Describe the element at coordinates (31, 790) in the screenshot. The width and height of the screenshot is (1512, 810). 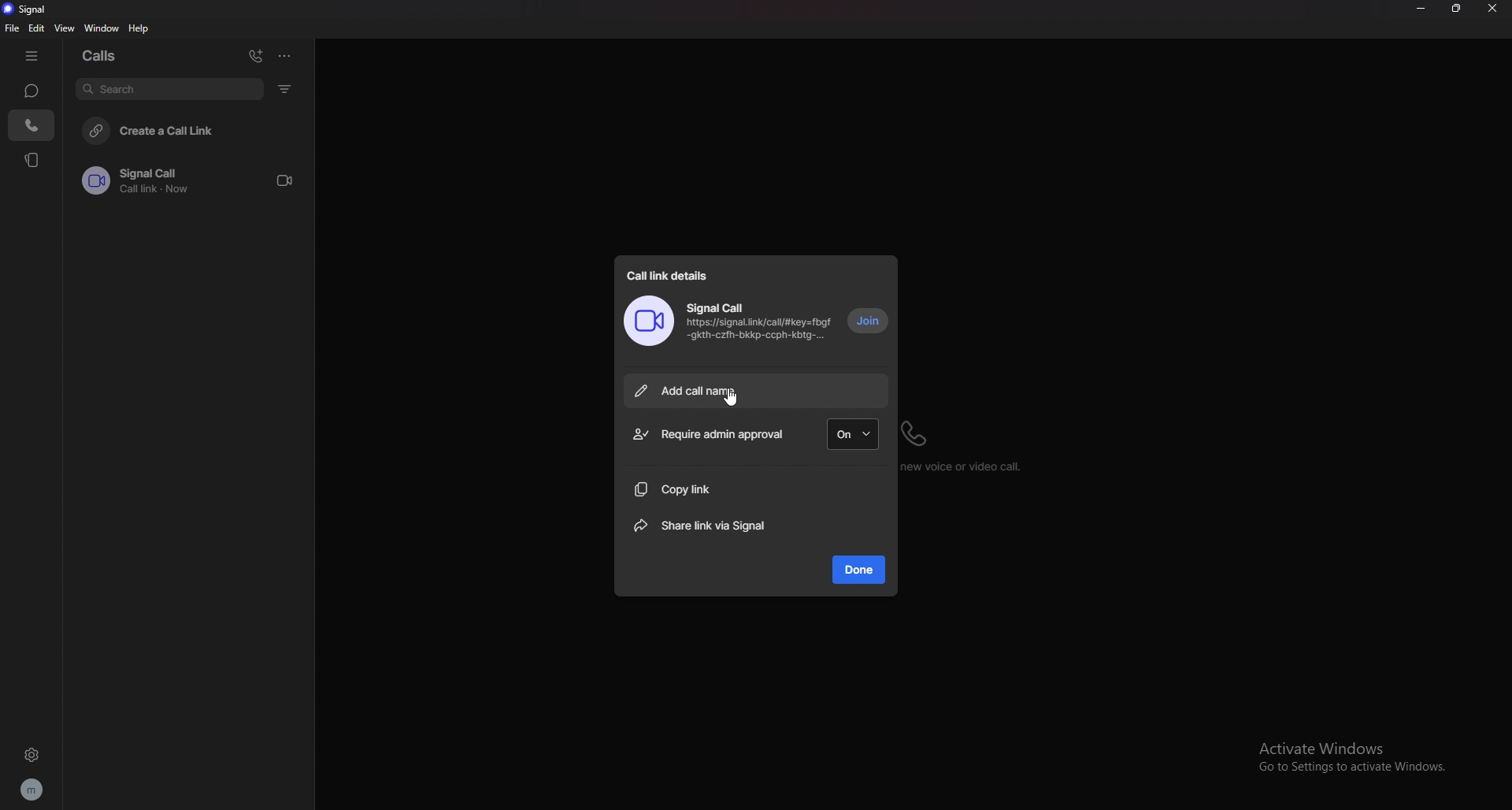
I see `profile` at that location.